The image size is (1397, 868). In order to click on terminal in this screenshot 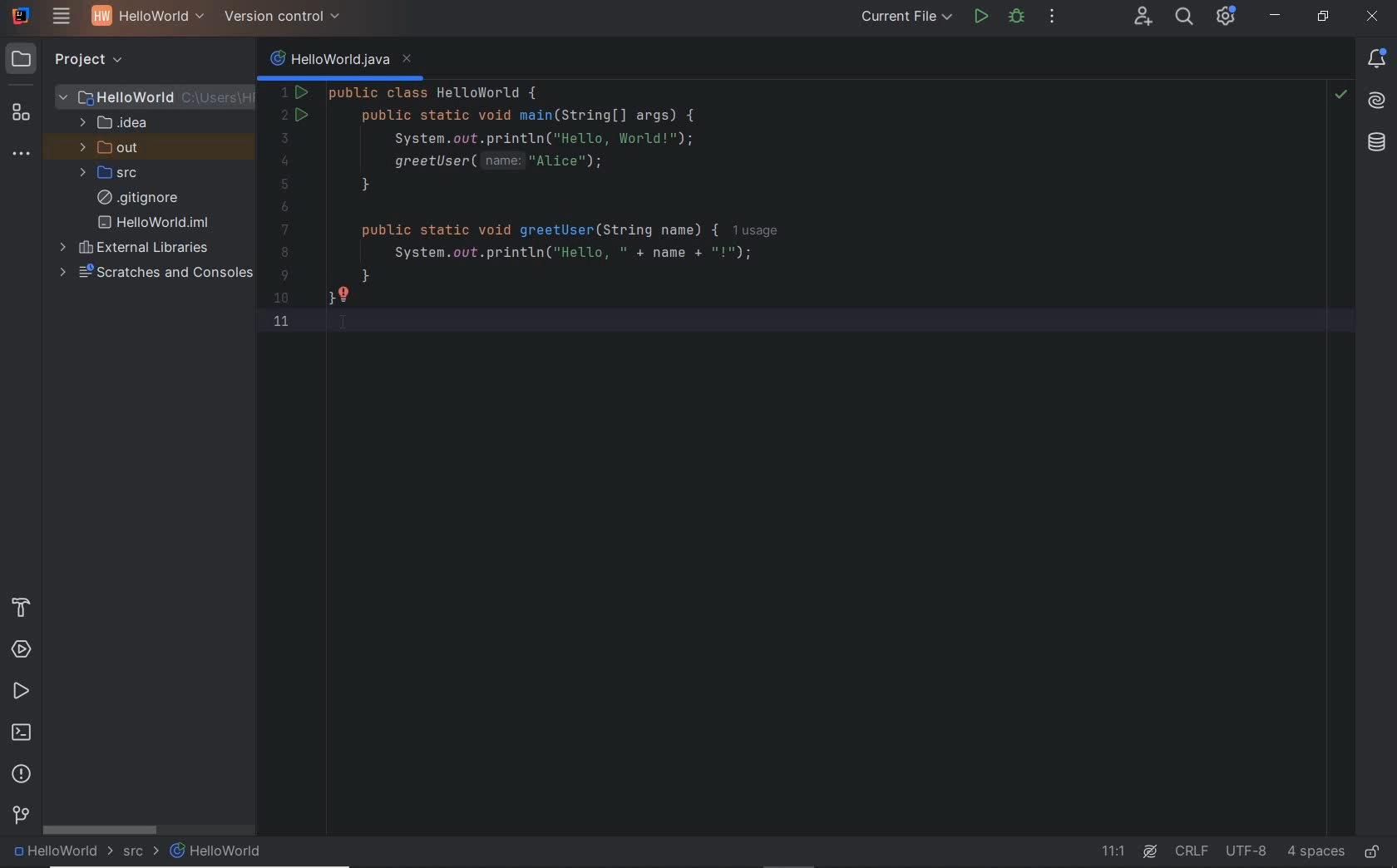, I will do `click(23, 734)`.